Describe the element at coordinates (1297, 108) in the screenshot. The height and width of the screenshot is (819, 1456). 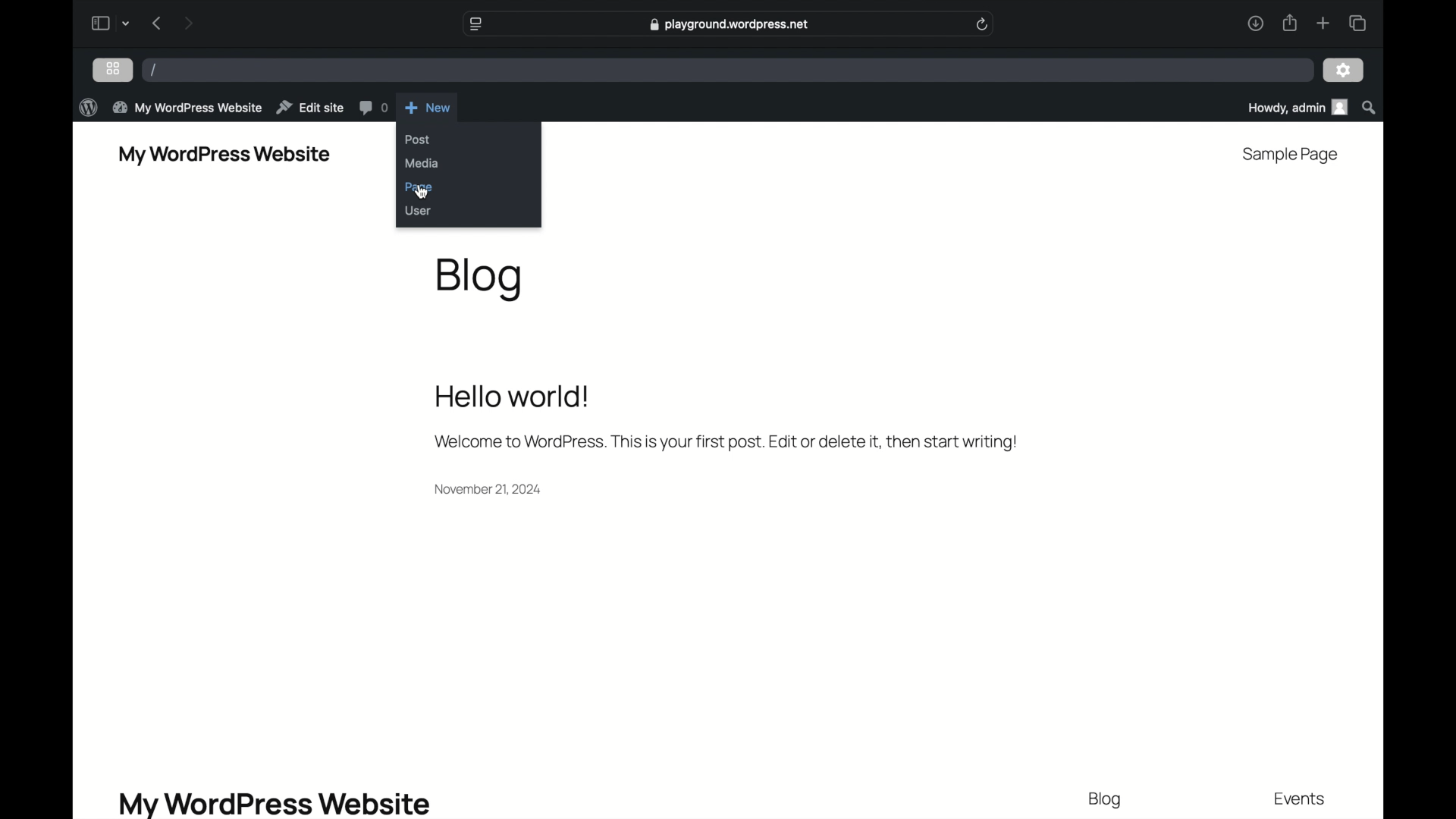
I see `howdy, admin` at that location.